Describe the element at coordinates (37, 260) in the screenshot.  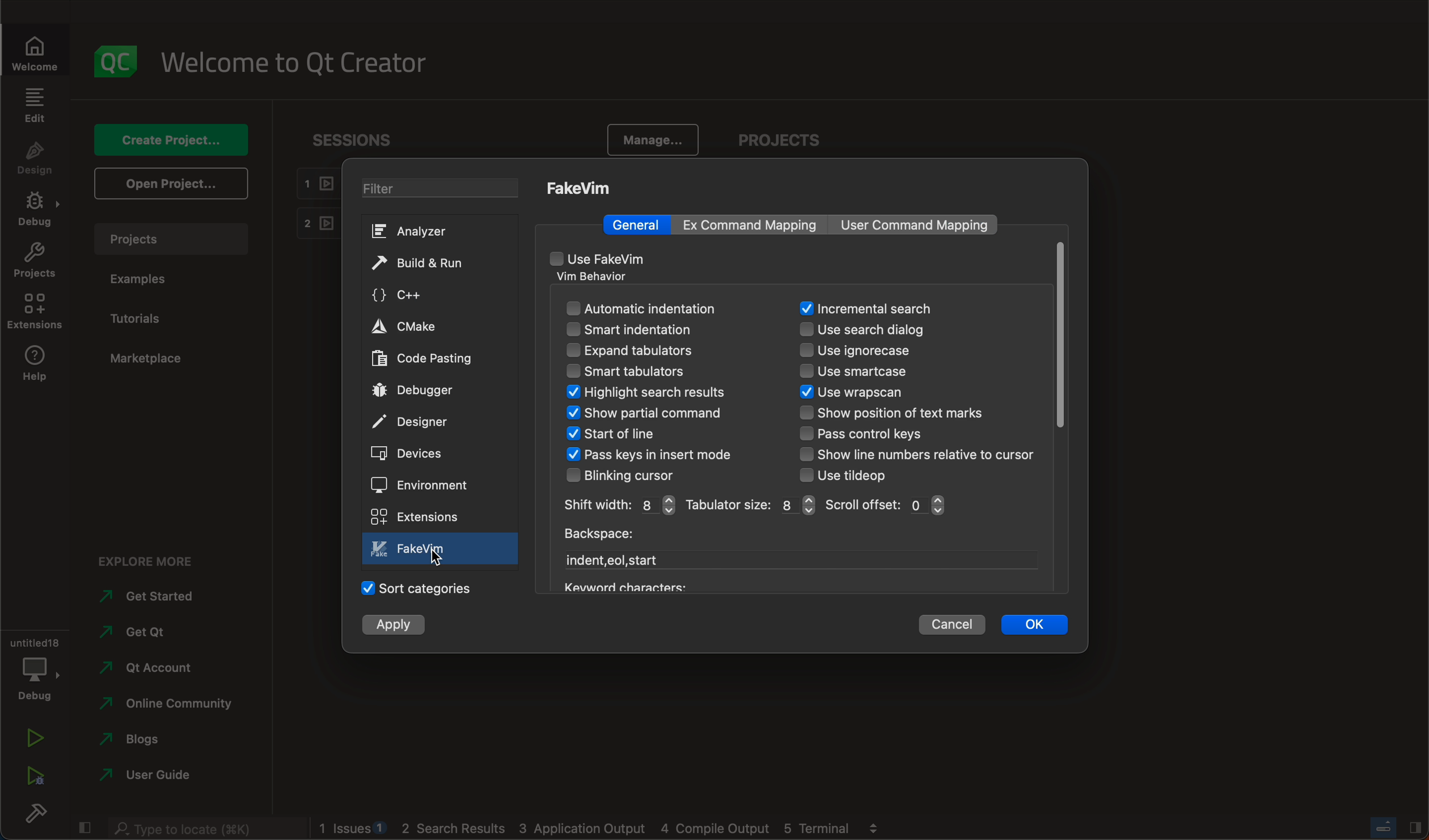
I see `projects` at that location.